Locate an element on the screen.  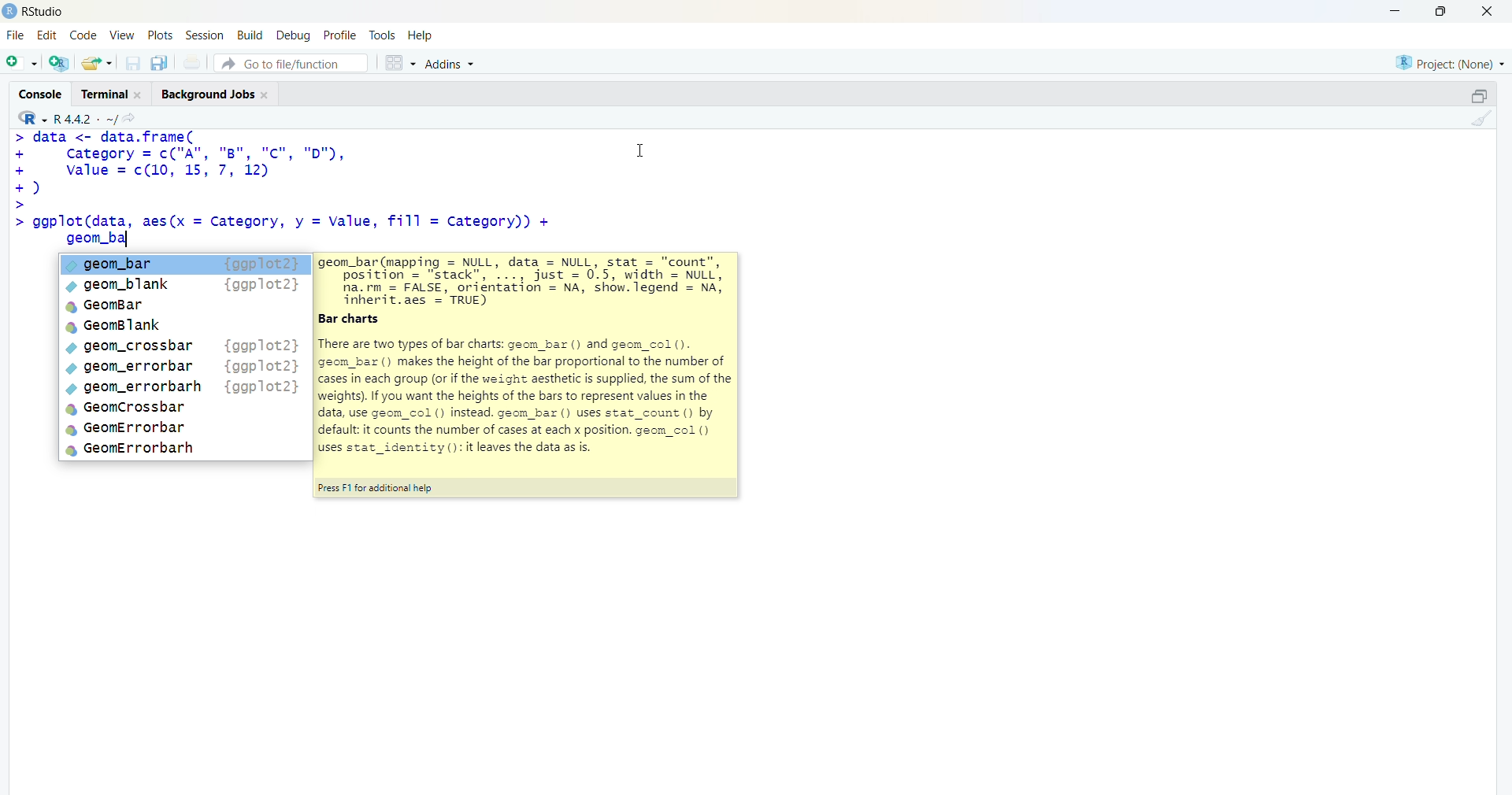
minimize is located at coordinates (1400, 11).